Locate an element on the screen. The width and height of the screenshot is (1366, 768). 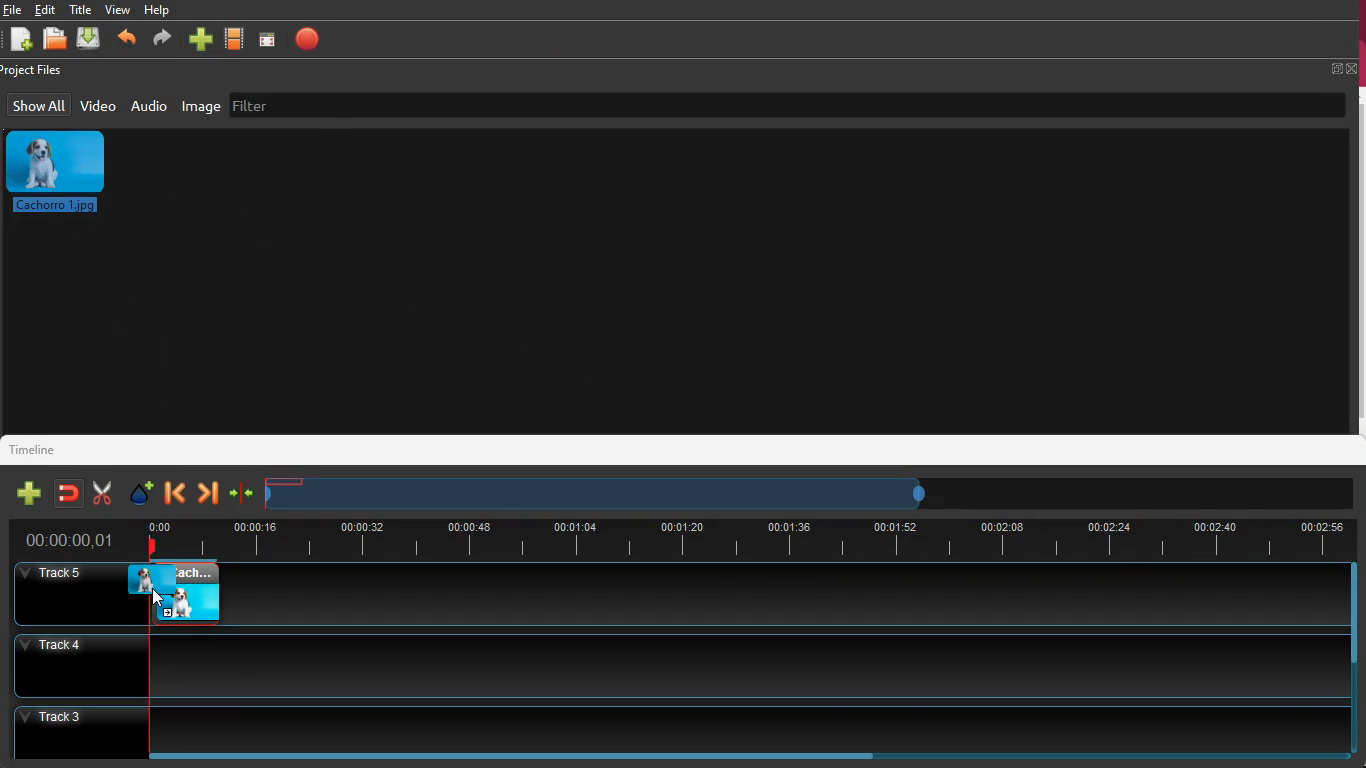
audio is located at coordinates (151, 108).